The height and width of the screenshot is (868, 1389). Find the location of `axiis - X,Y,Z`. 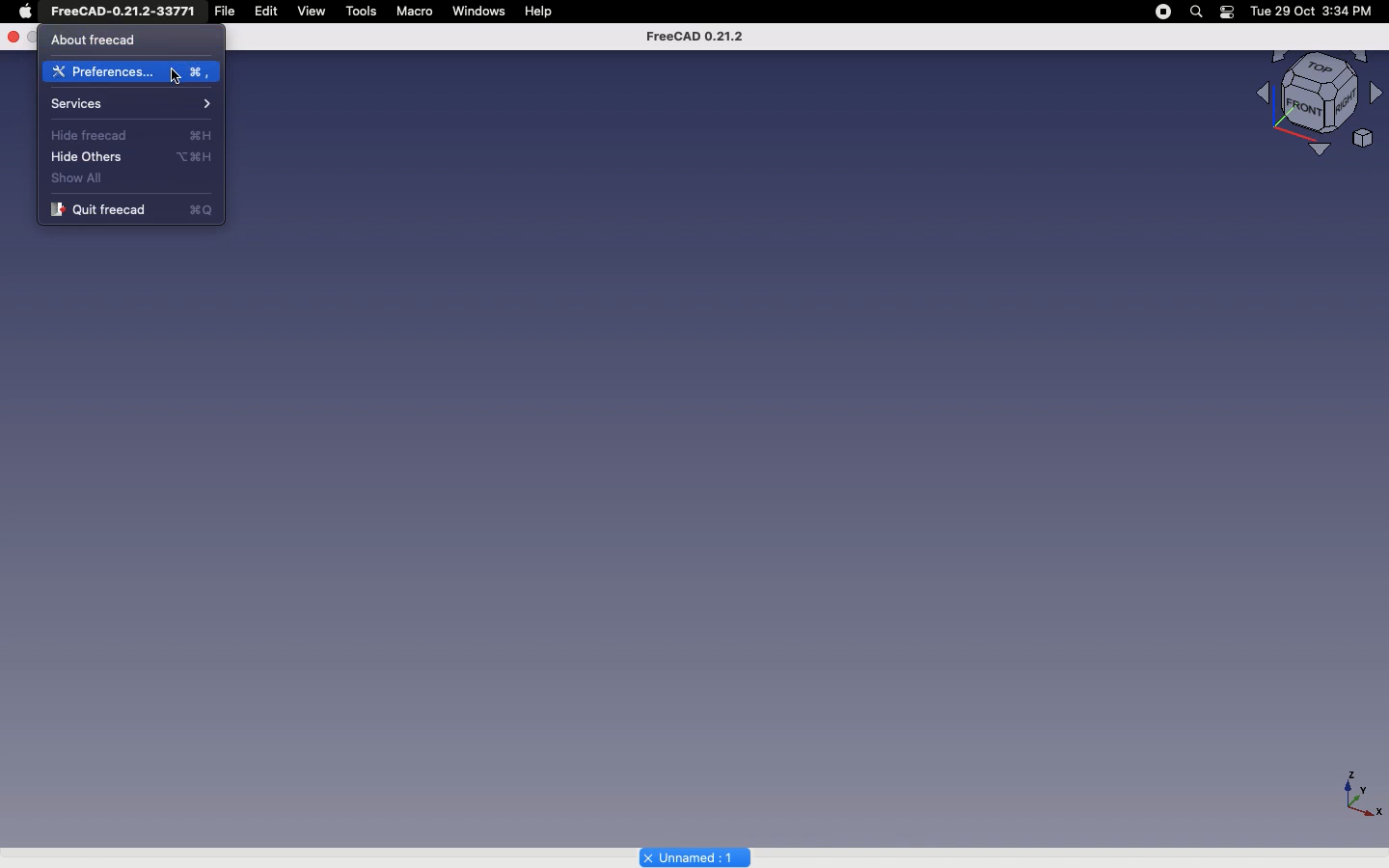

axiis - X,Y,Z is located at coordinates (1359, 791).